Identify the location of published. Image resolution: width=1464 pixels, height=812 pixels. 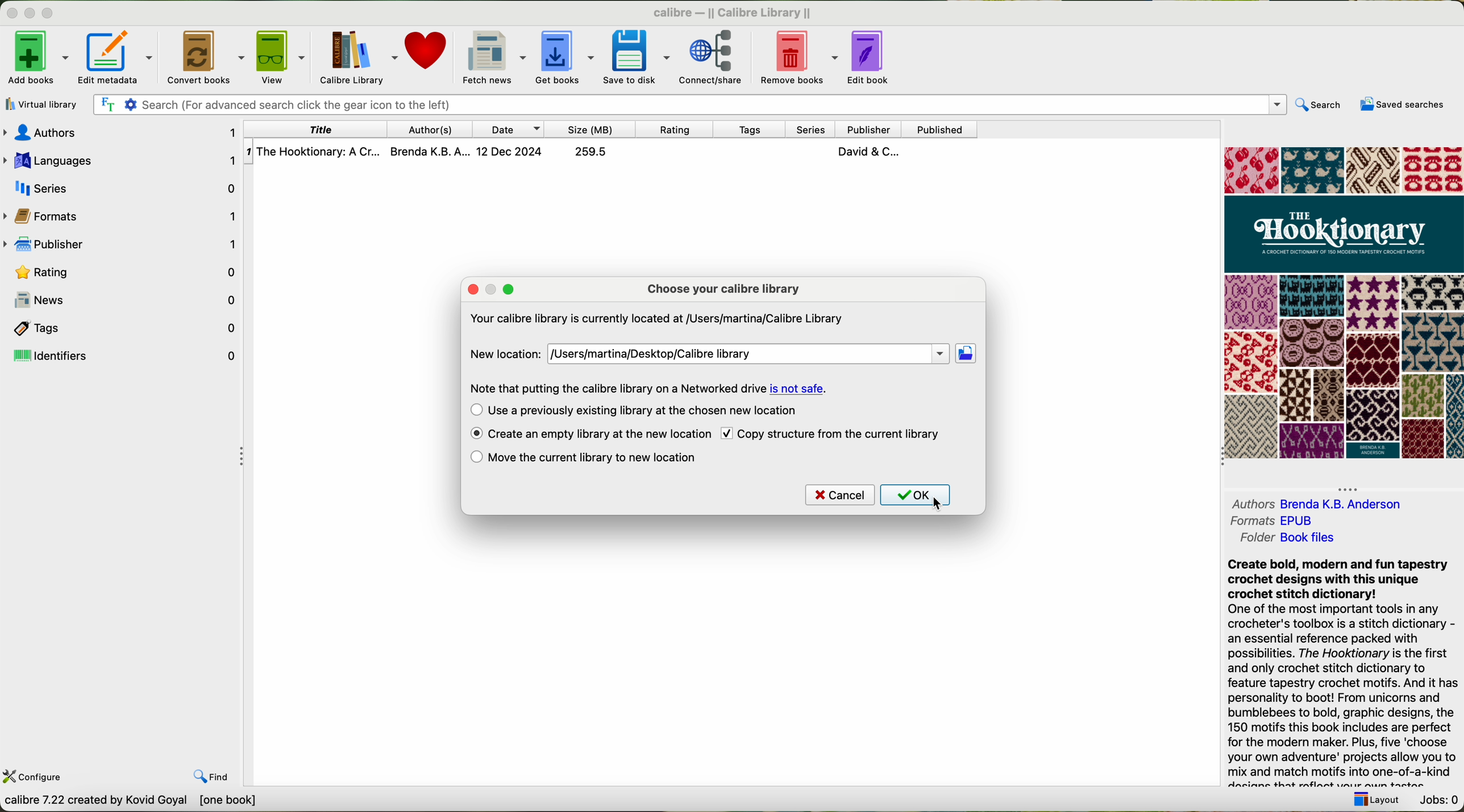
(944, 128).